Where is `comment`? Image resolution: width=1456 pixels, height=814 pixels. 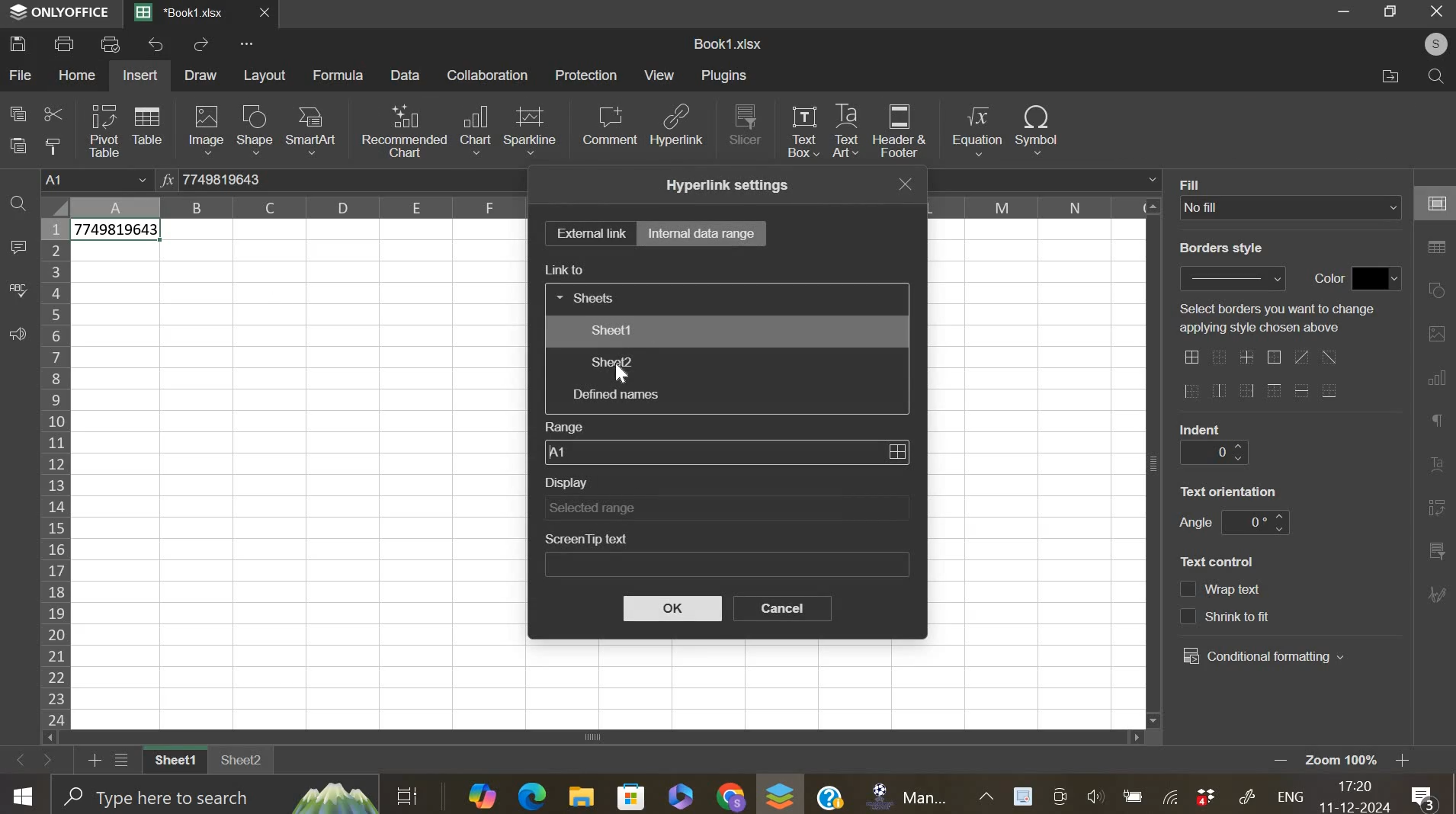
comment is located at coordinates (609, 125).